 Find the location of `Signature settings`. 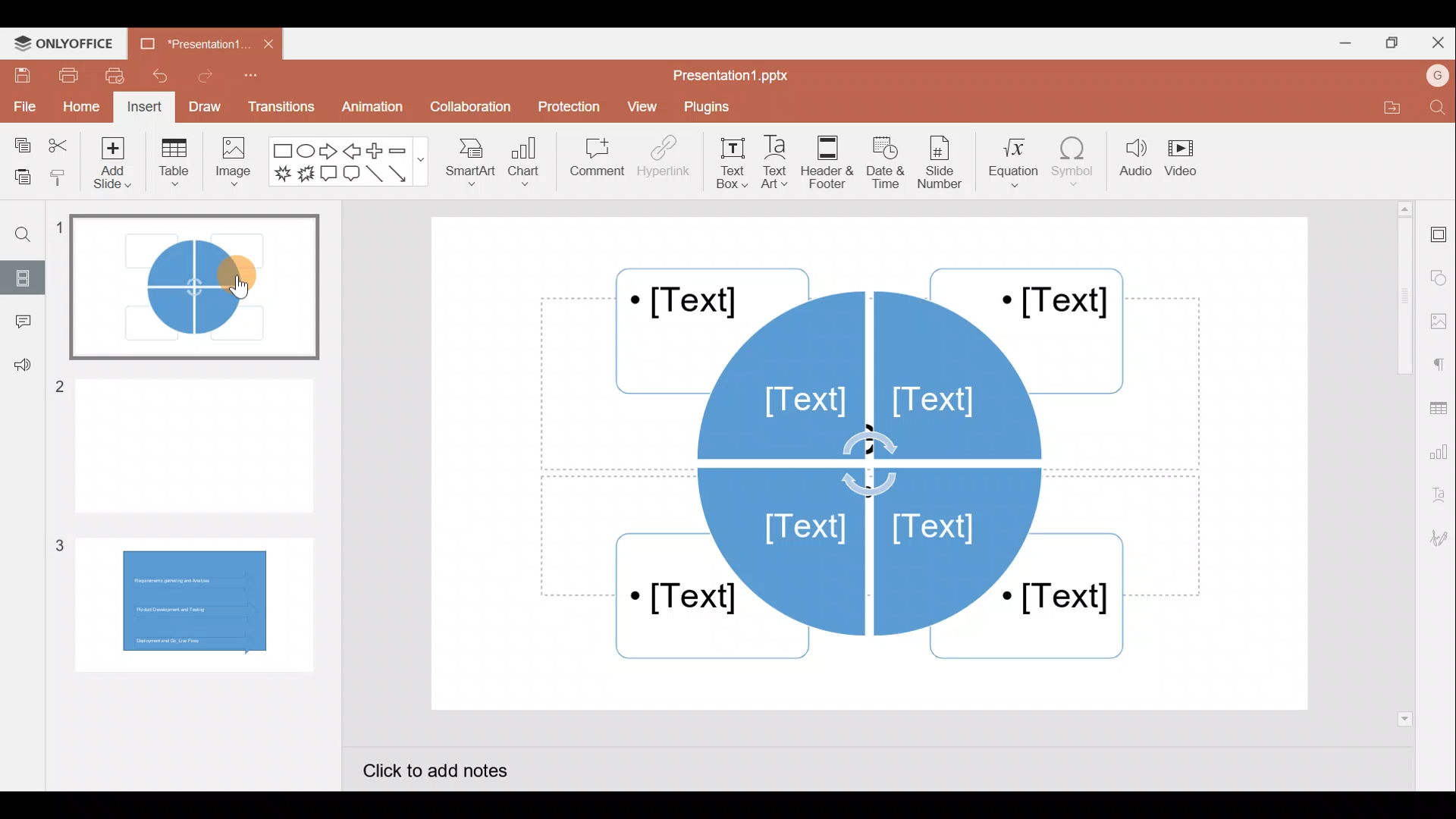

Signature settings is located at coordinates (1436, 538).